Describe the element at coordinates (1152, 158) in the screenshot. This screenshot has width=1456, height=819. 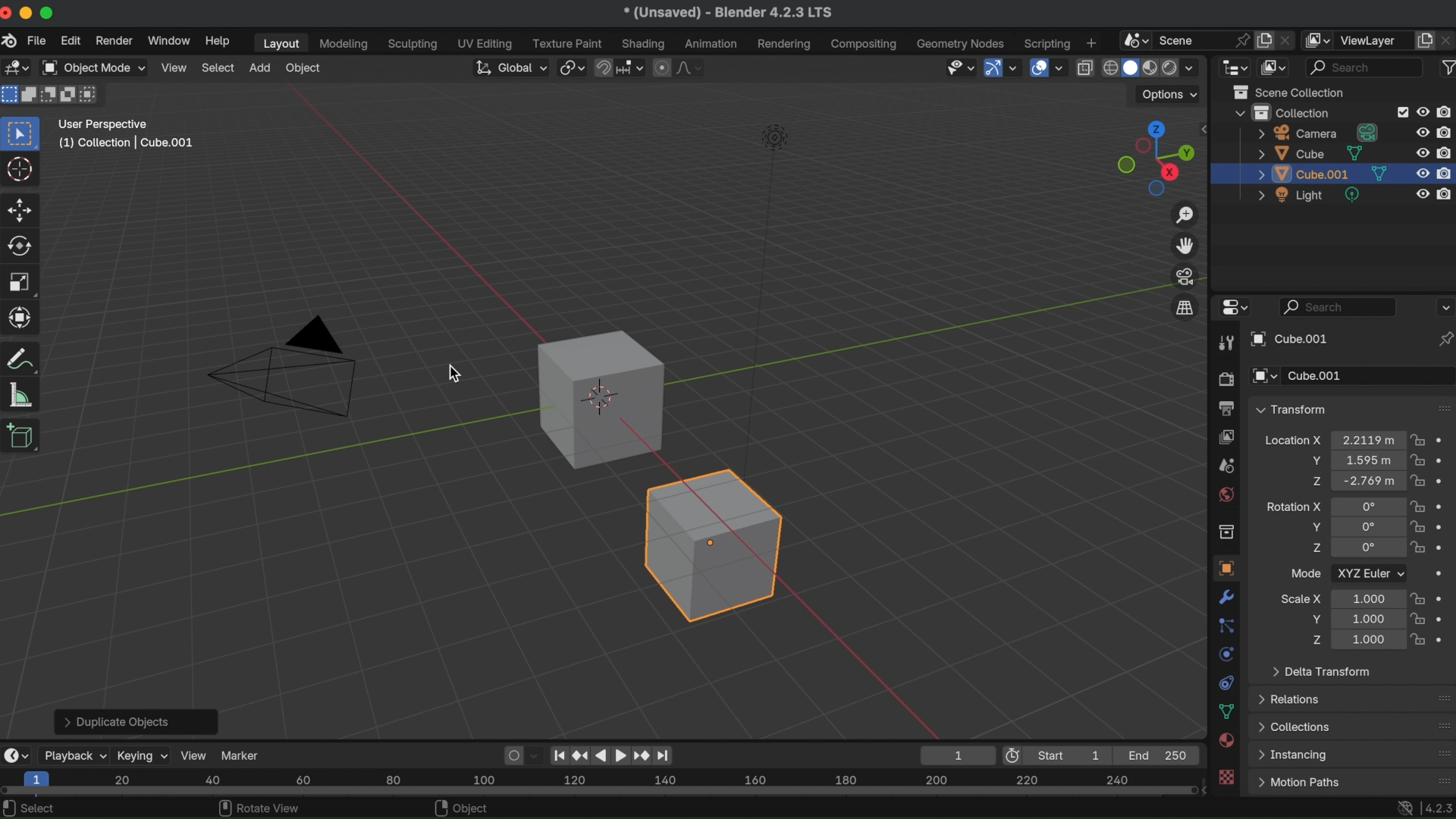
I see `preset viewpoints` at that location.